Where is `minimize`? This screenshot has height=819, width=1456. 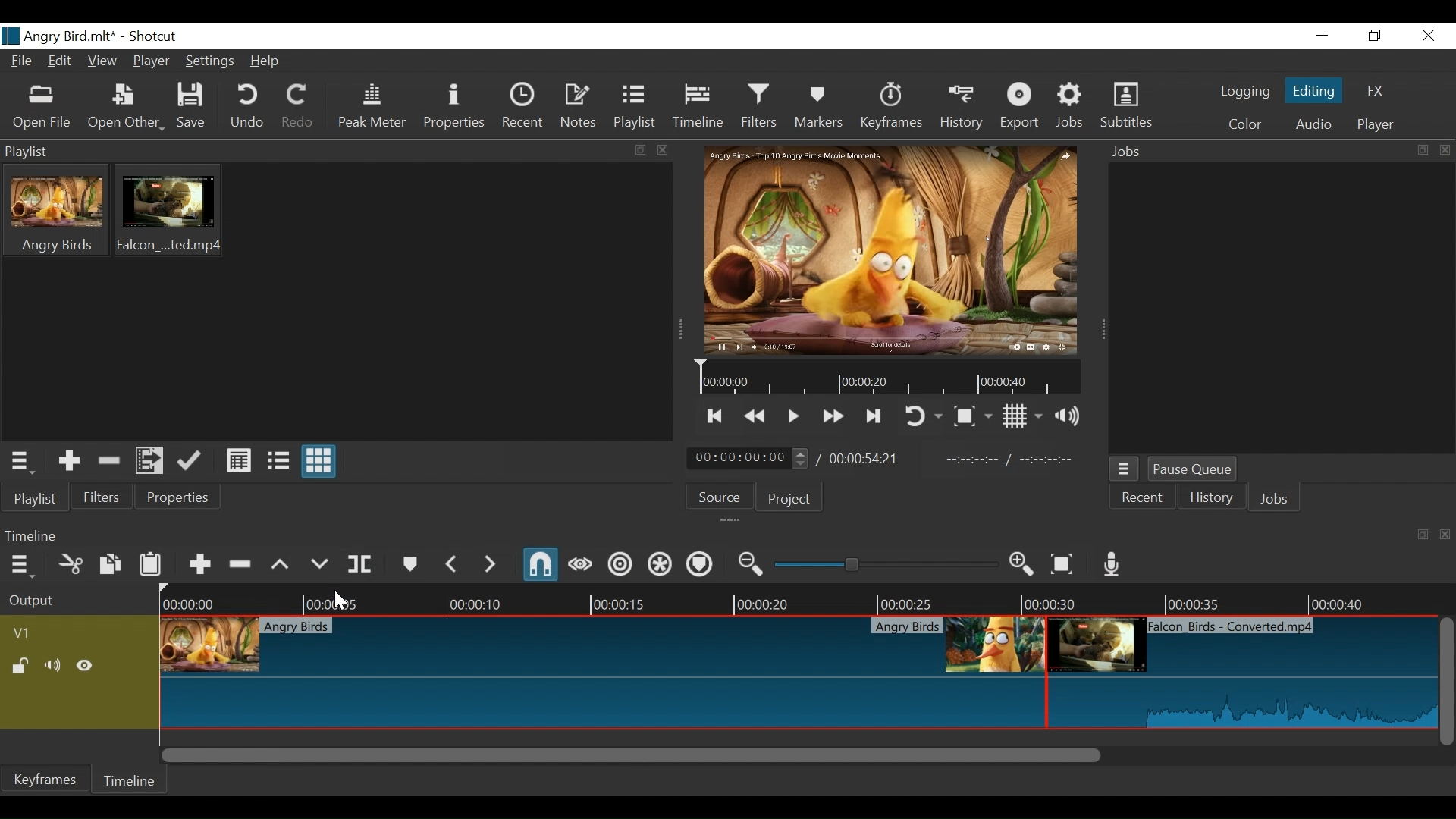
minimize is located at coordinates (1323, 36).